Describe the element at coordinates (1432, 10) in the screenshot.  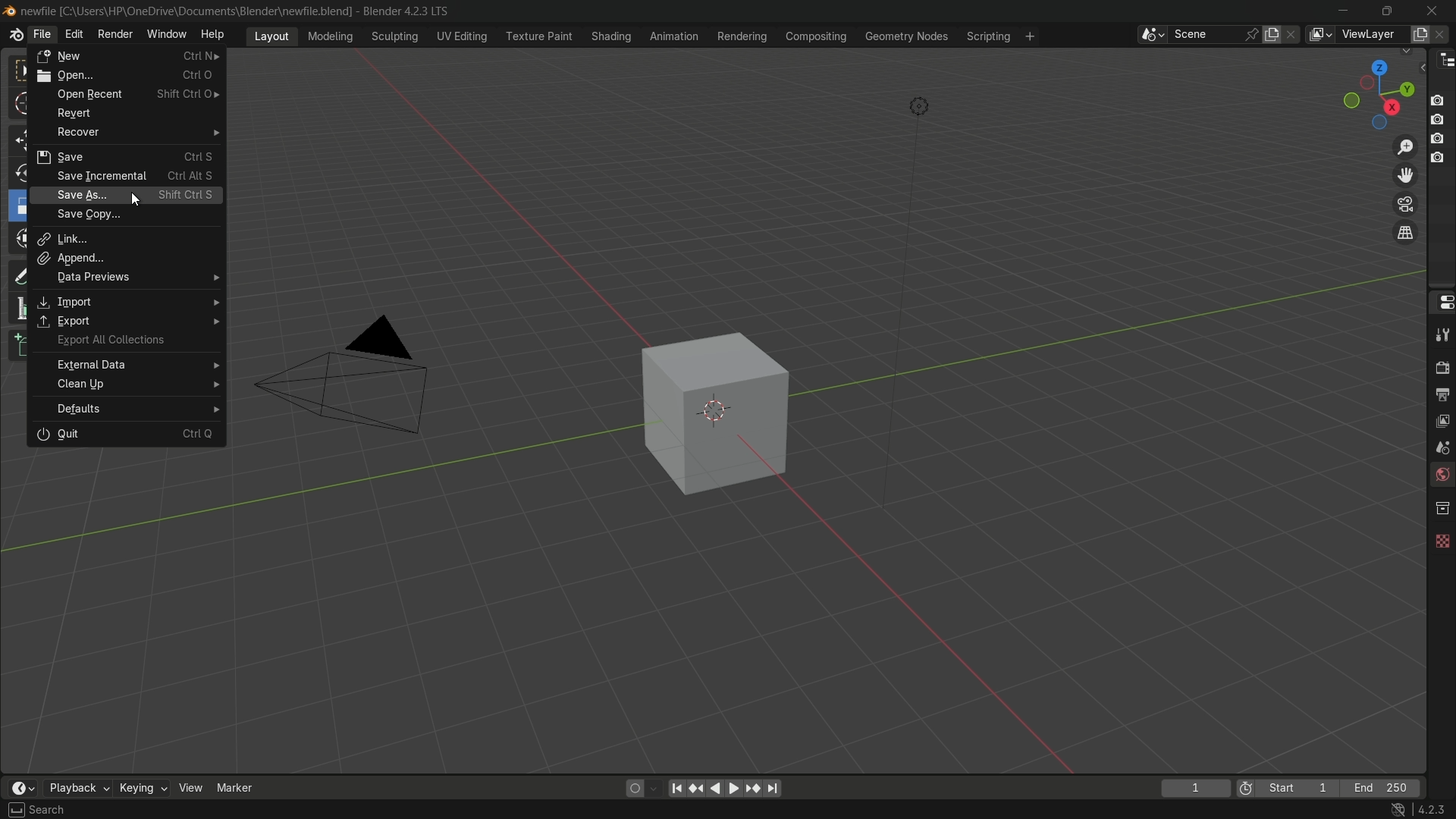
I see `close app` at that location.